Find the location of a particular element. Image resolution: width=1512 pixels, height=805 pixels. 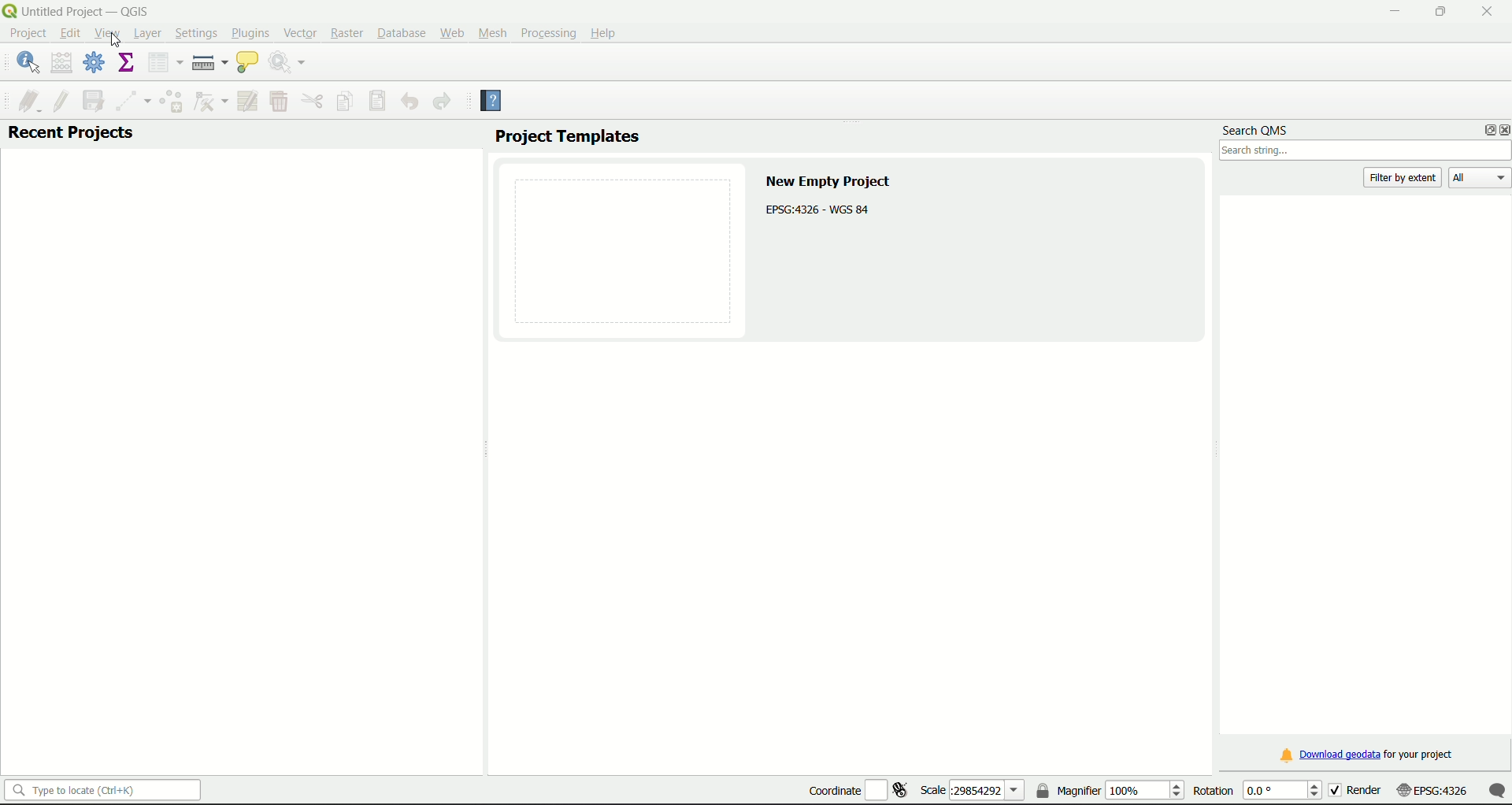

Vector is located at coordinates (301, 31).